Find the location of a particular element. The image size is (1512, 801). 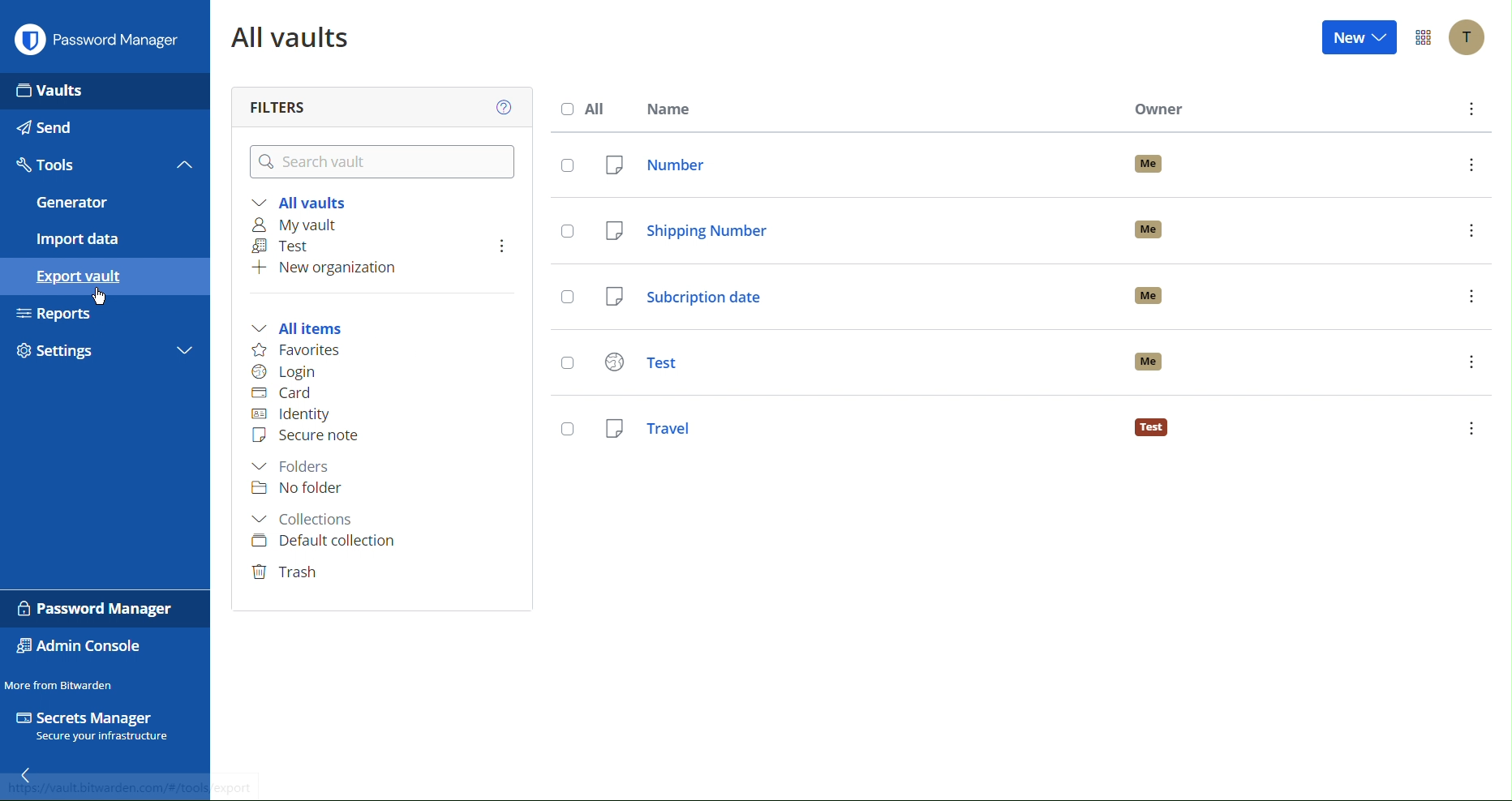

Tools is located at coordinates (49, 165).